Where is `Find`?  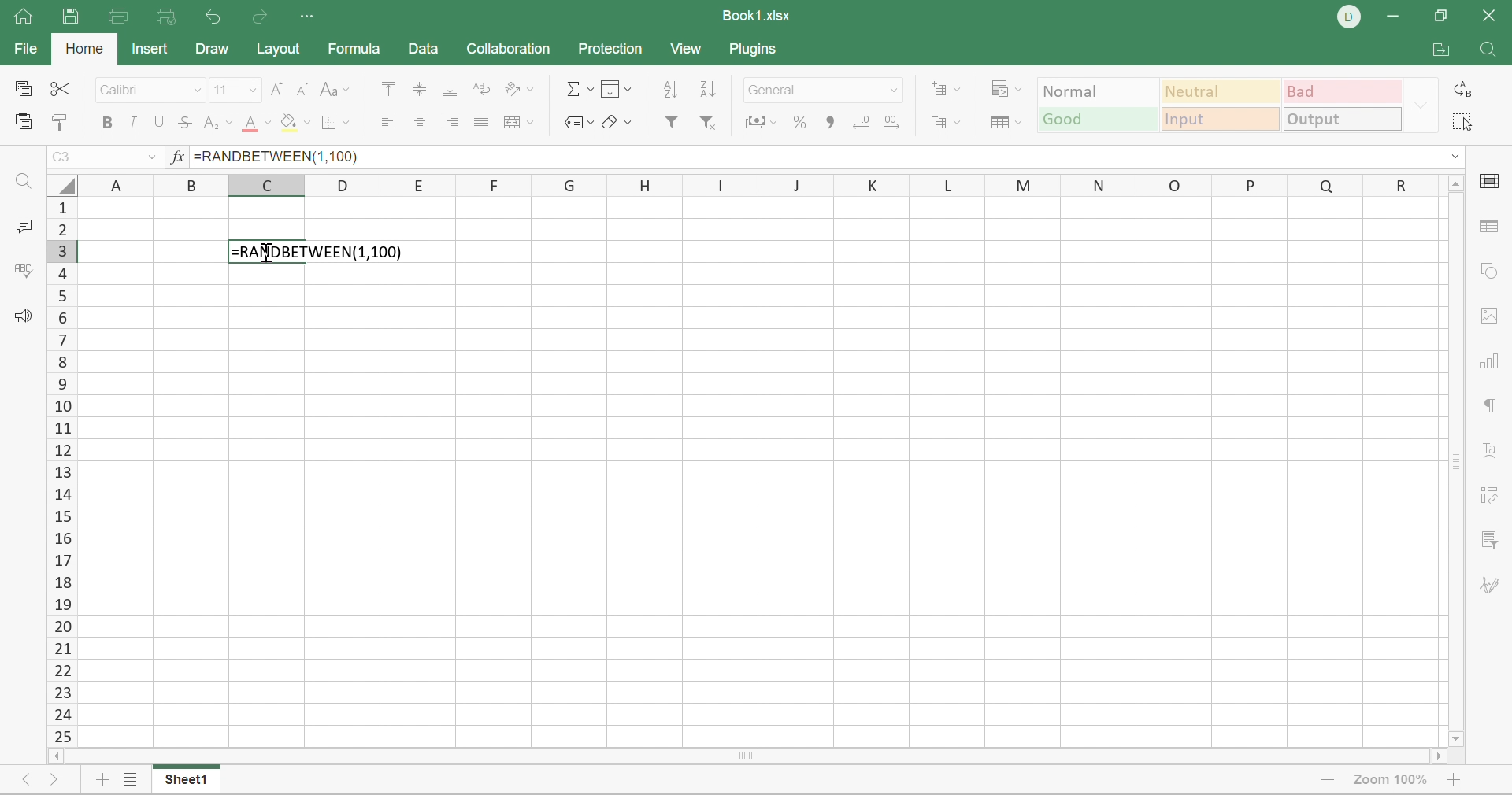
Find is located at coordinates (1490, 49).